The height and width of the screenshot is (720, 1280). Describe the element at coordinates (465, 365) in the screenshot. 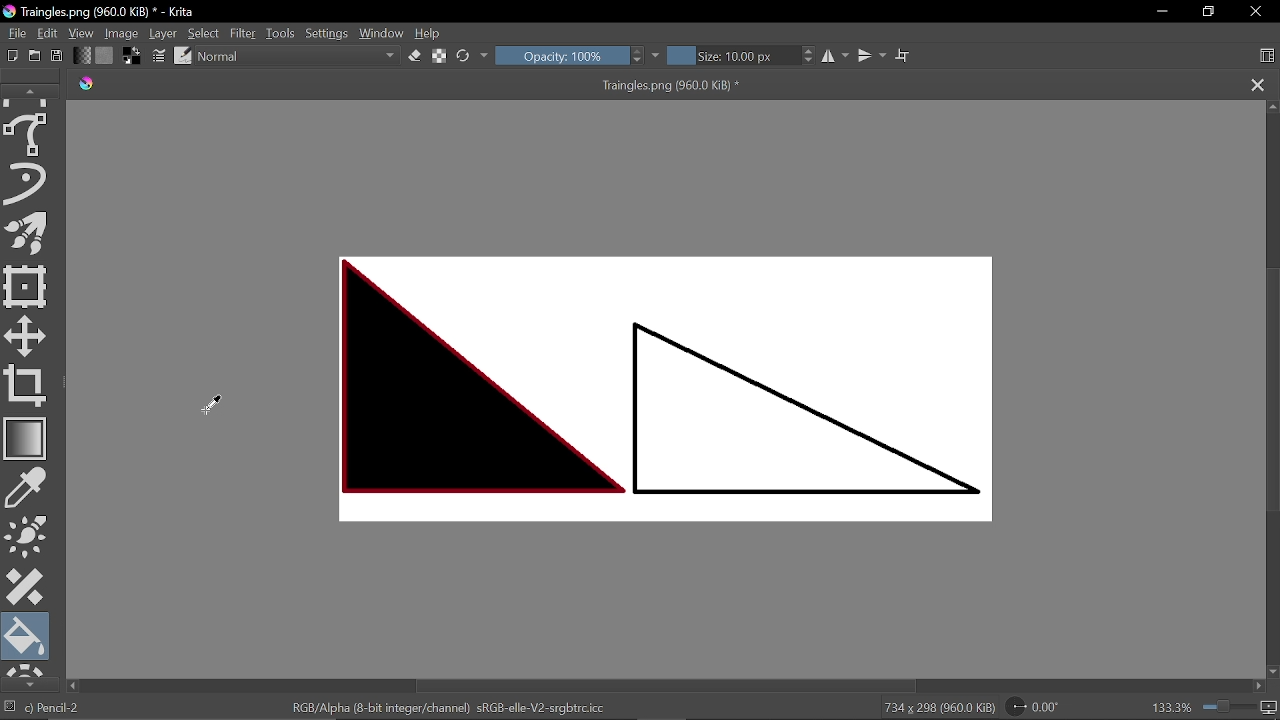

I see `Shape filled with color using fill color tool` at that location.